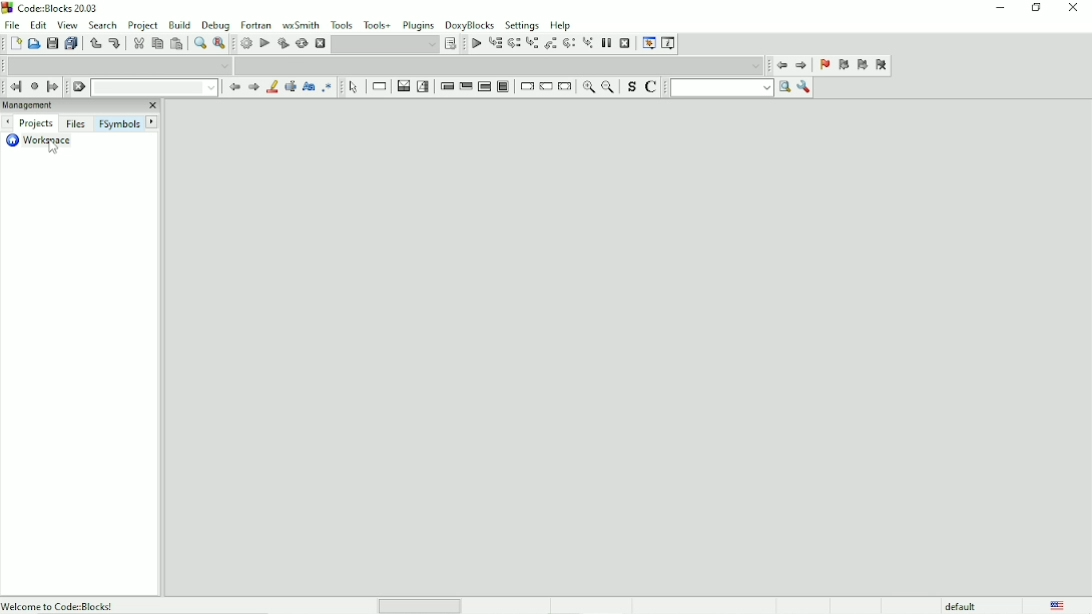 This screenshot has width=1092, height=614. Describe the element at coordinates (34, 86) in the screenshot. I see `Last jump` at that location.